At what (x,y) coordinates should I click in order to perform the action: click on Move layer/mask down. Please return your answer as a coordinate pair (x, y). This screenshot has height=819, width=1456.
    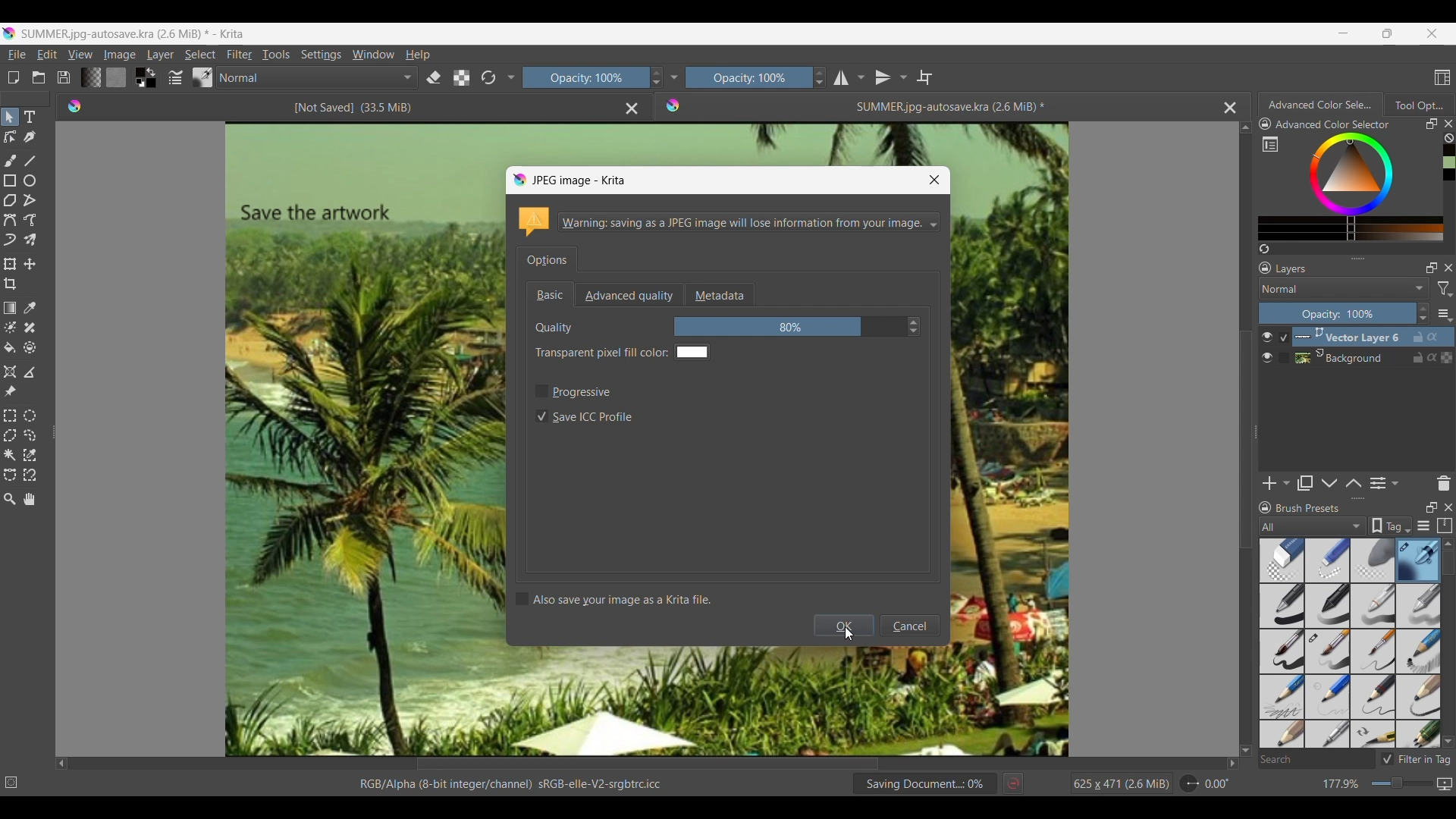
    Looking at the image, I should click on (1329, 483).